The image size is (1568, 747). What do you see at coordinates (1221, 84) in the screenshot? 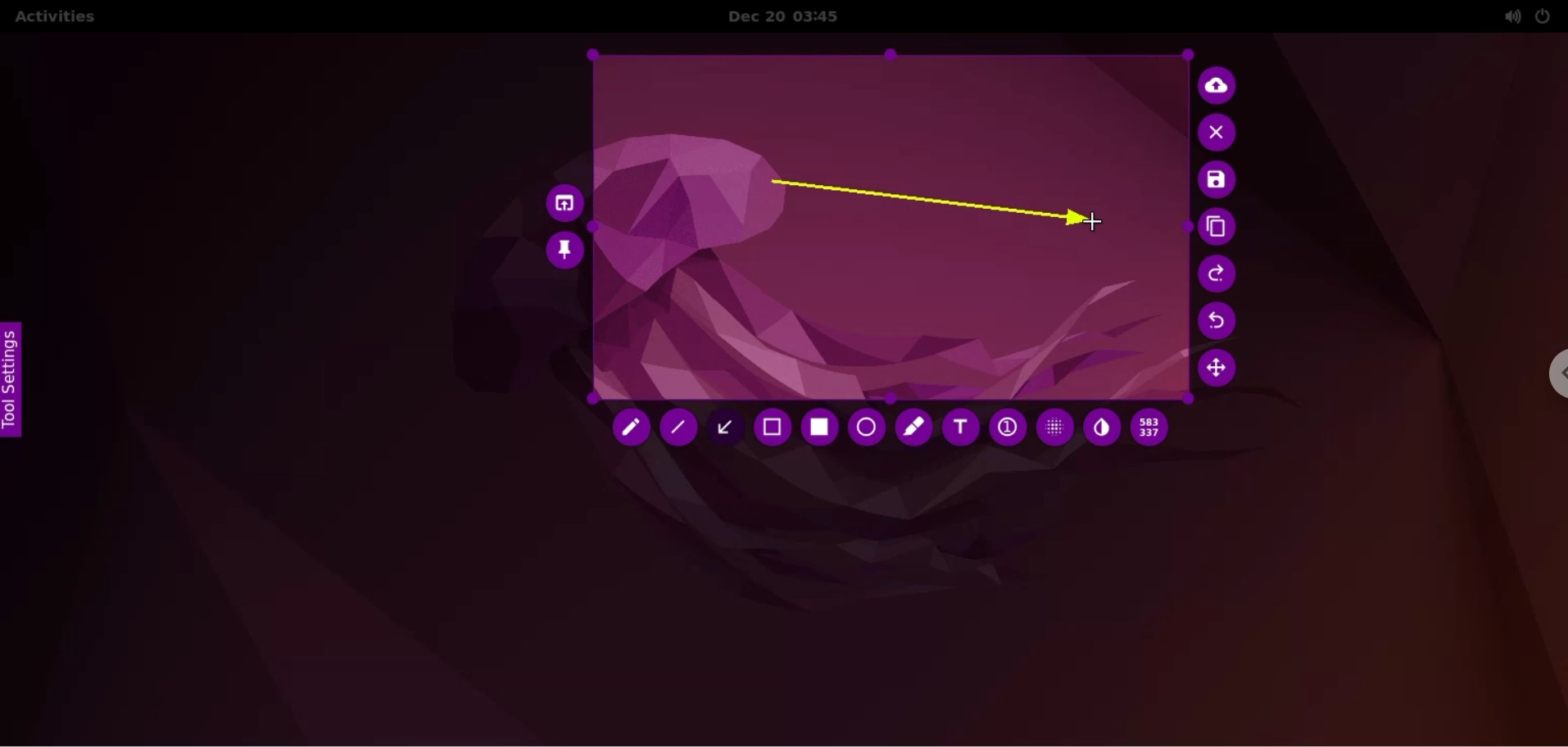
I see `upload` at bounding box center [1221, 84].